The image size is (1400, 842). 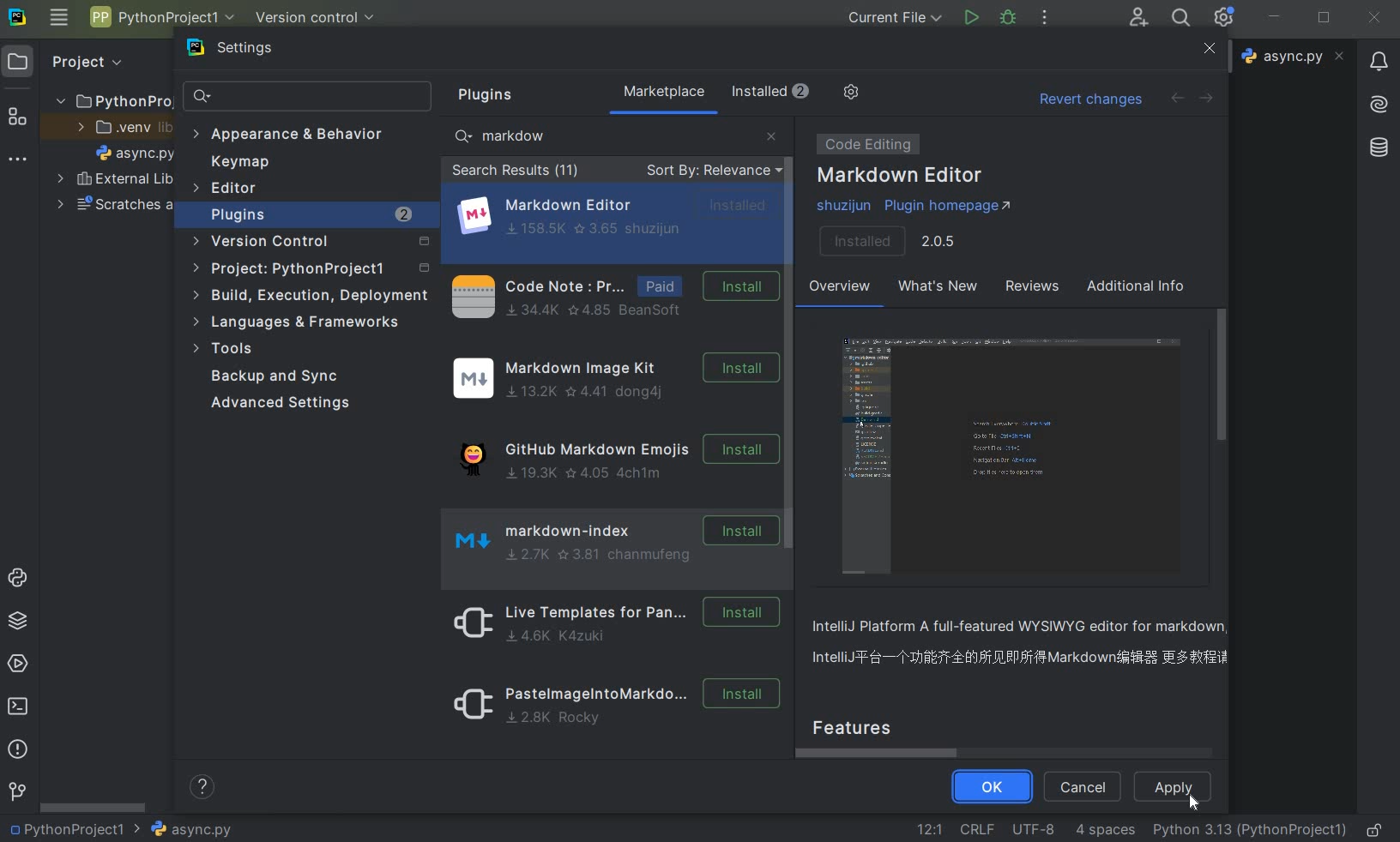 I want to click on code with me, so click(x=1139, y=19).